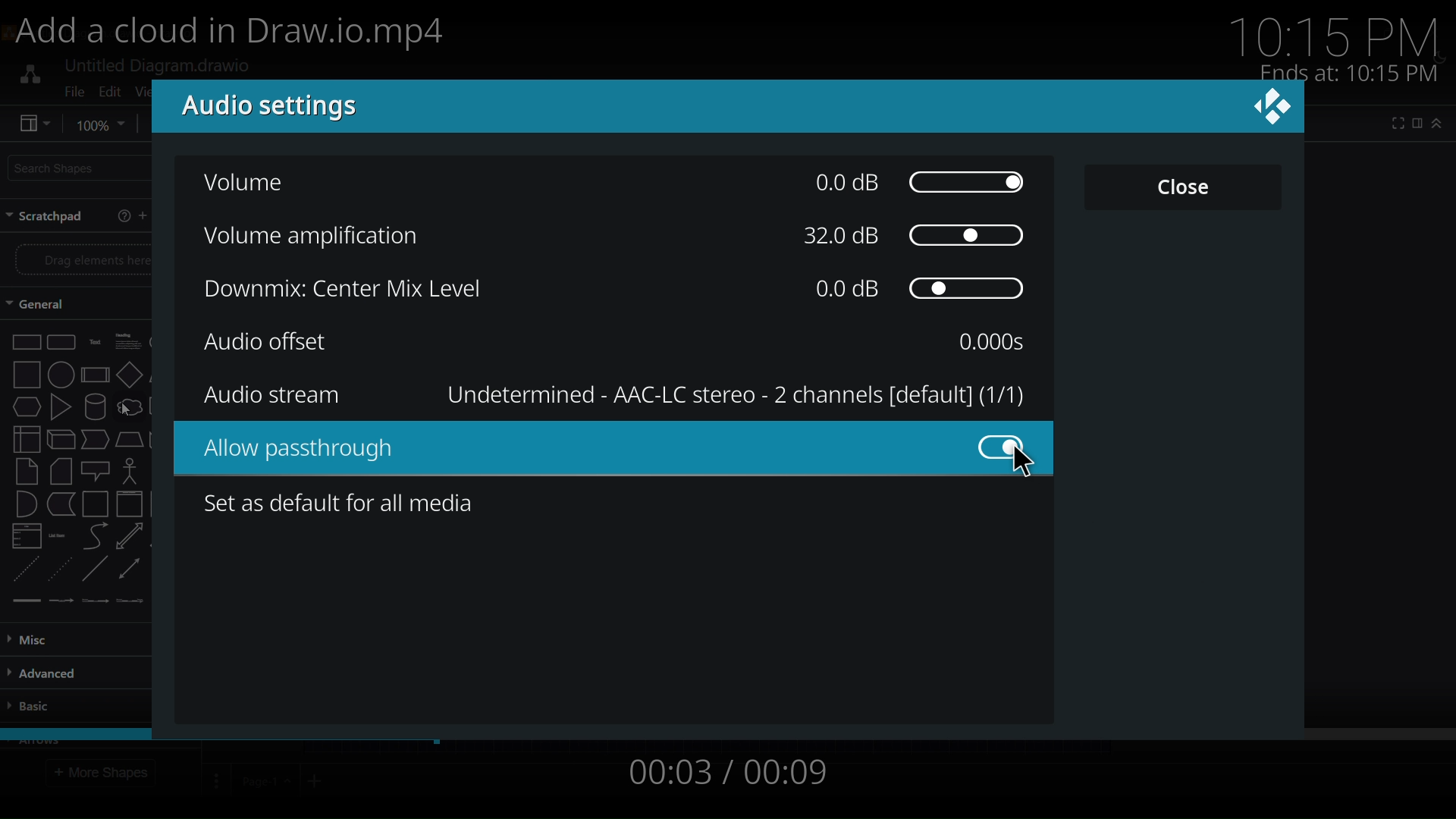 The height and width of the screenshot is (819, 1456). I want to click on 0.000s, so click(987, 344).